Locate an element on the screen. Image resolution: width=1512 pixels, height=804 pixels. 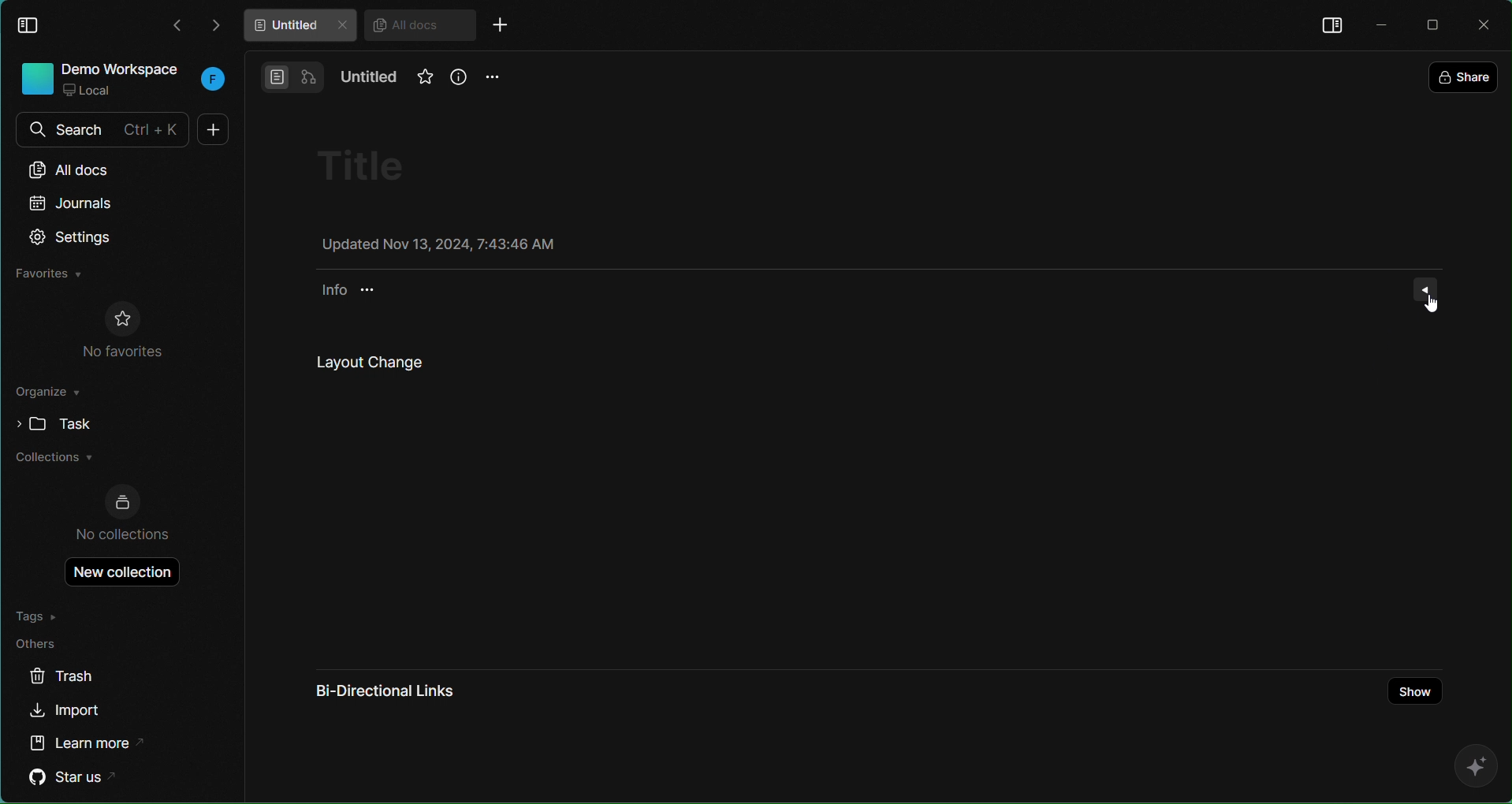
icon is located at coordinates (1469, 767).